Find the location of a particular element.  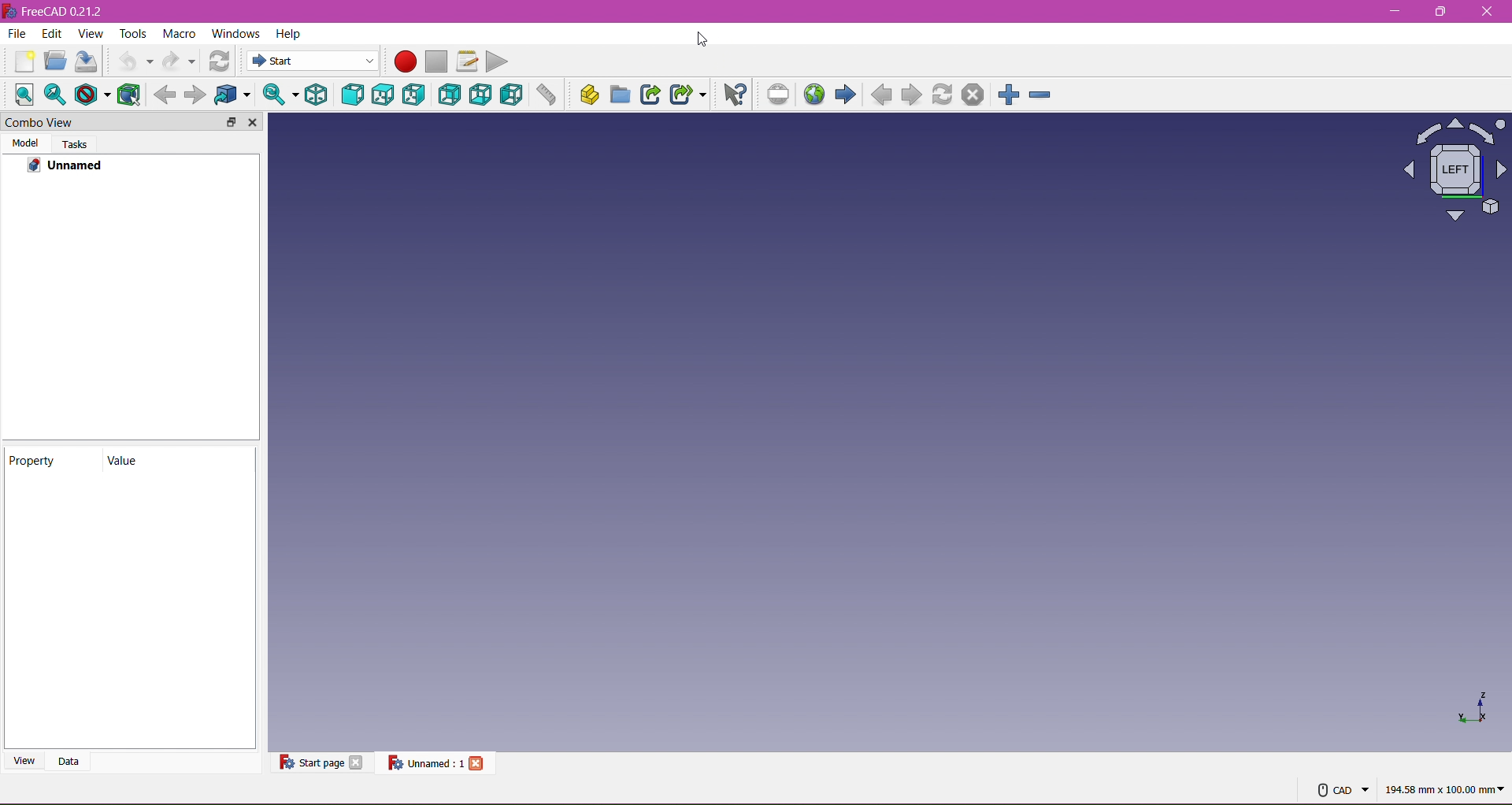

Axis View is located at coordinates (1456, 169).